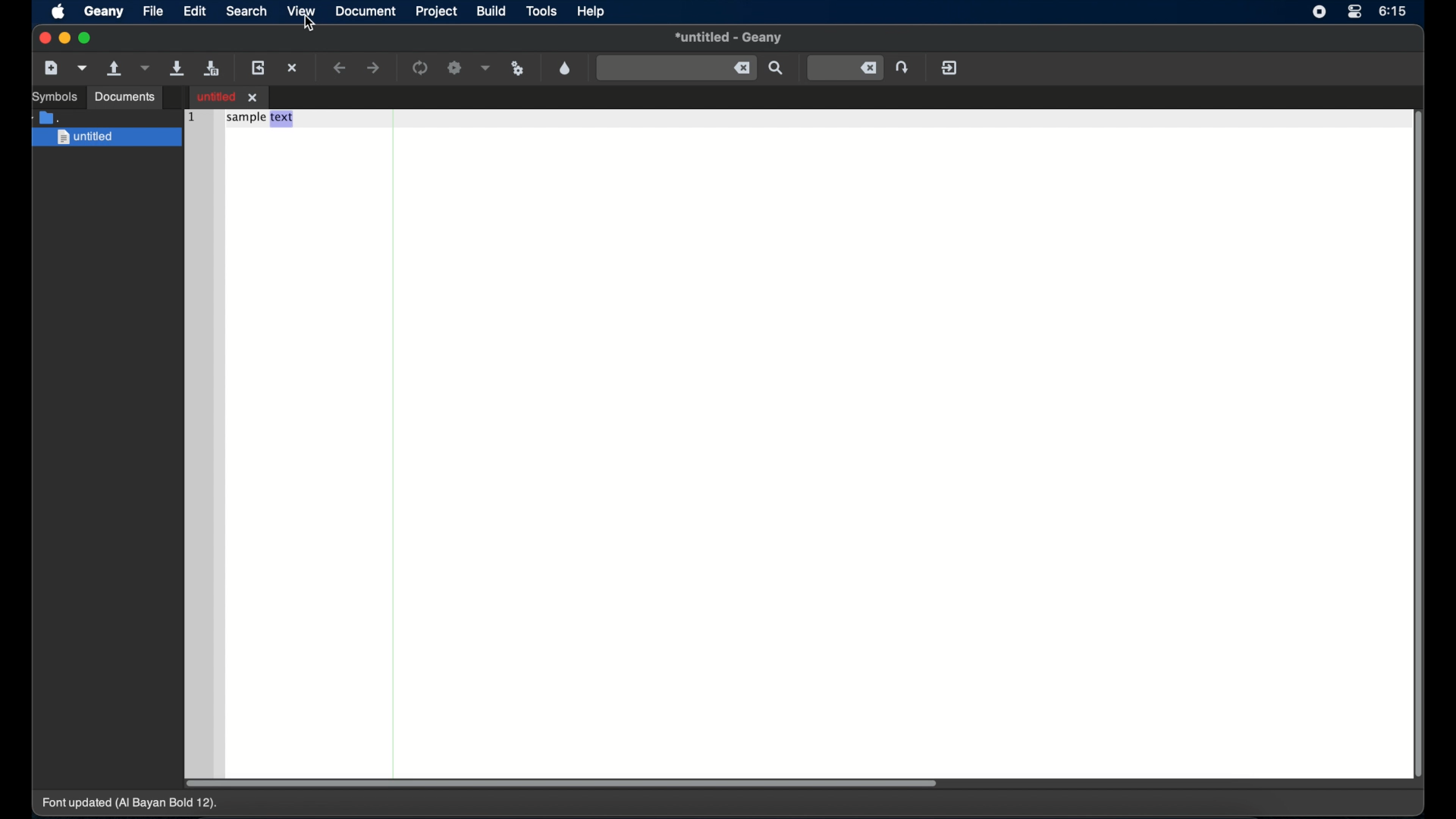  Describe the element at coordinates (518, 67) in the screenshot. I see `run or view the current file` at that location.